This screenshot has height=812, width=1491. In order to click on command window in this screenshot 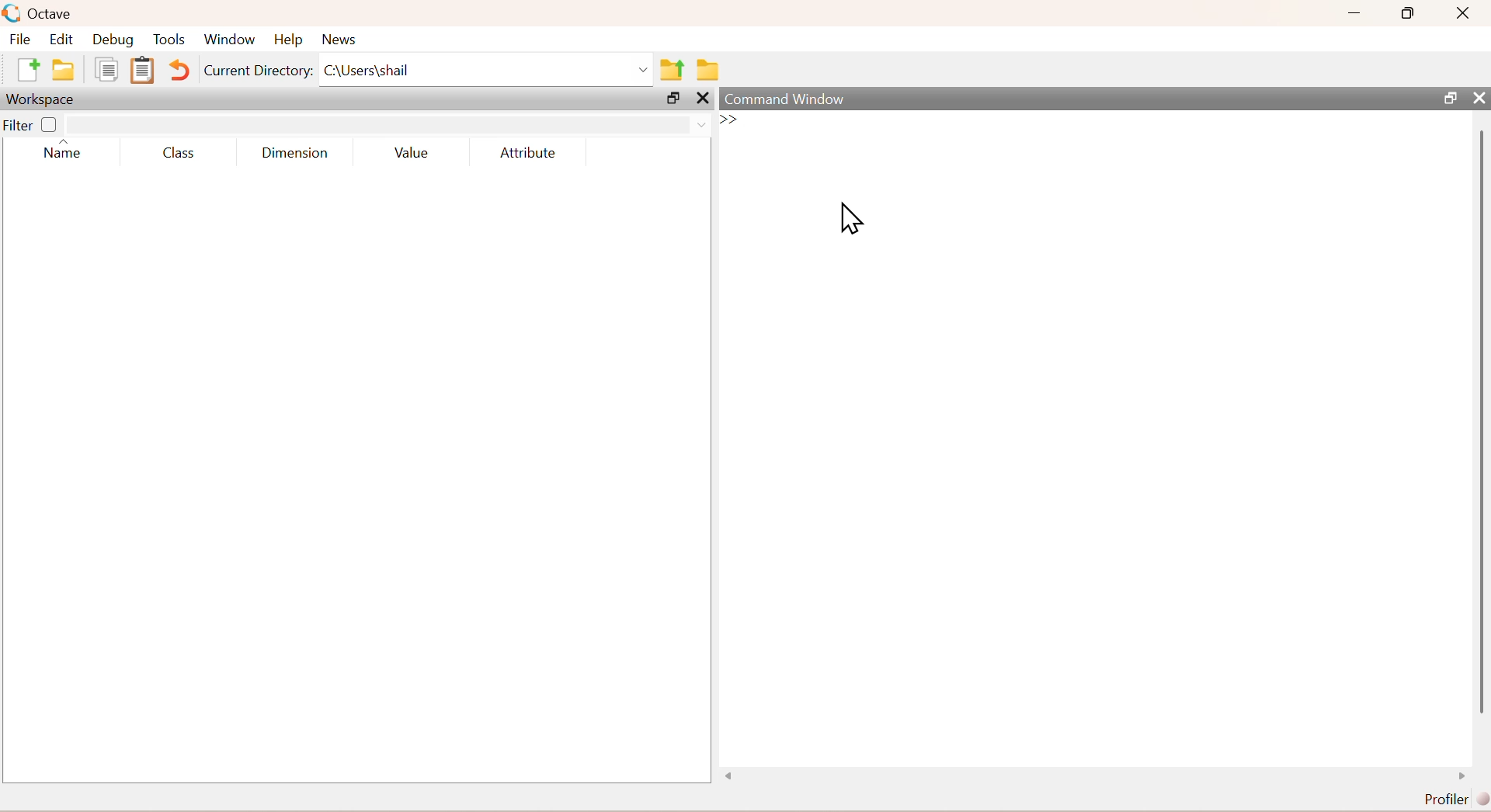, I will do `click(787, 99)`.